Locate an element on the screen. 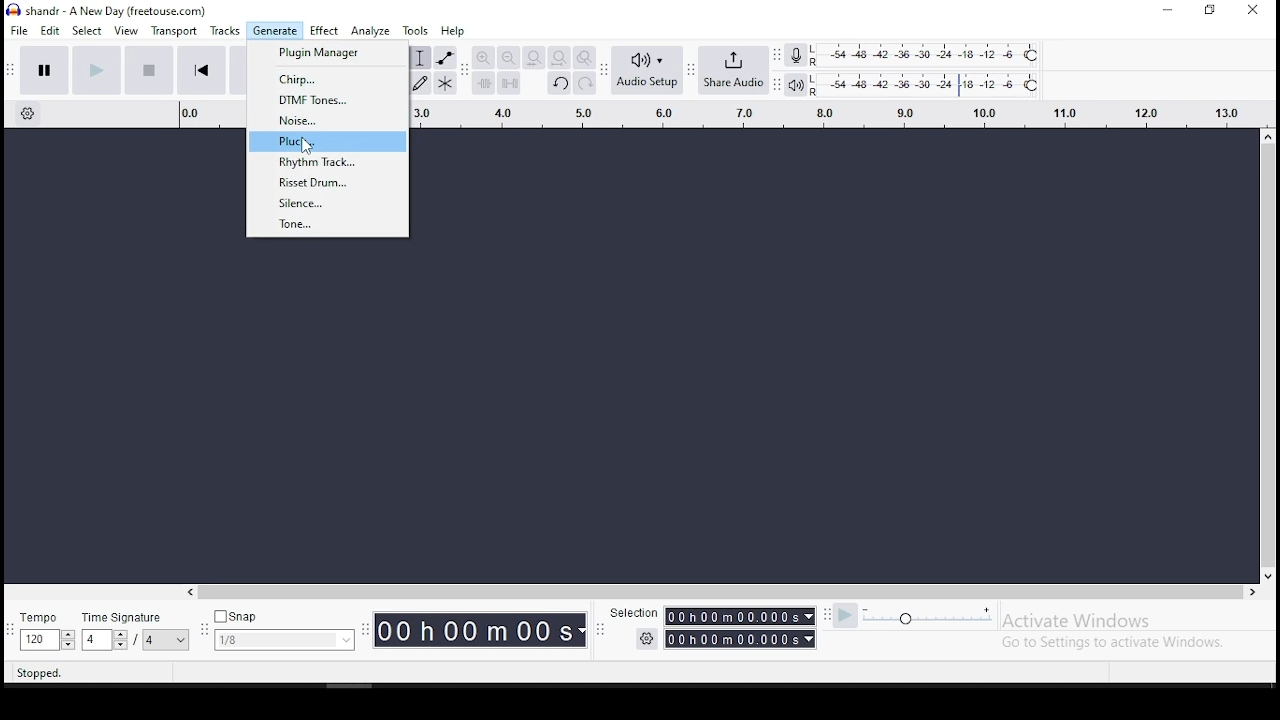  timeline settings is located at coordinates (26, 116).